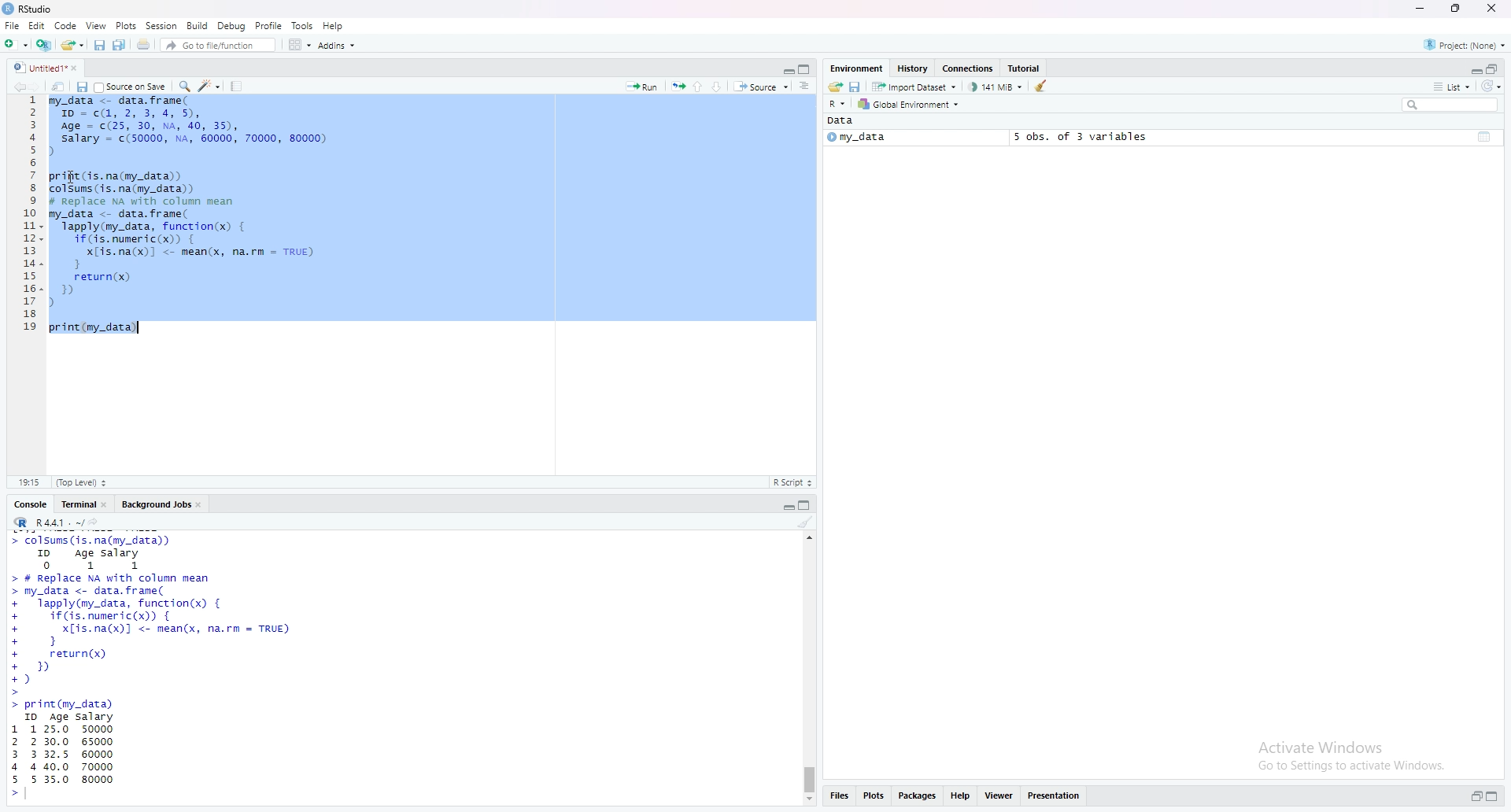 Image resolution: width=1511 pixels, height=812 pixels. I want to click on save workspace, so click(856, 88).